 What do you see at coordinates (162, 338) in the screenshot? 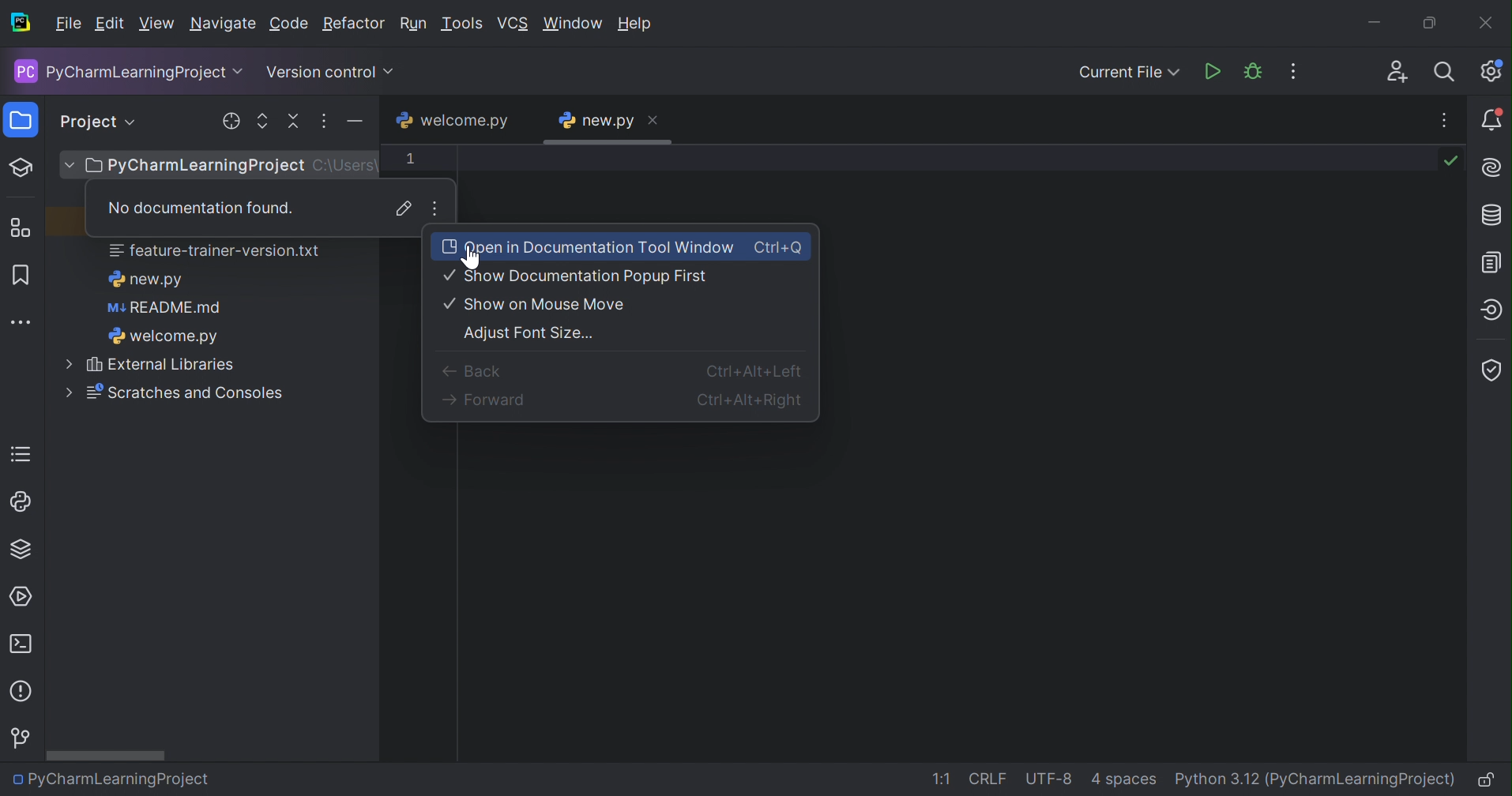
I see `welcome.py` at bounding box center [162, 338].